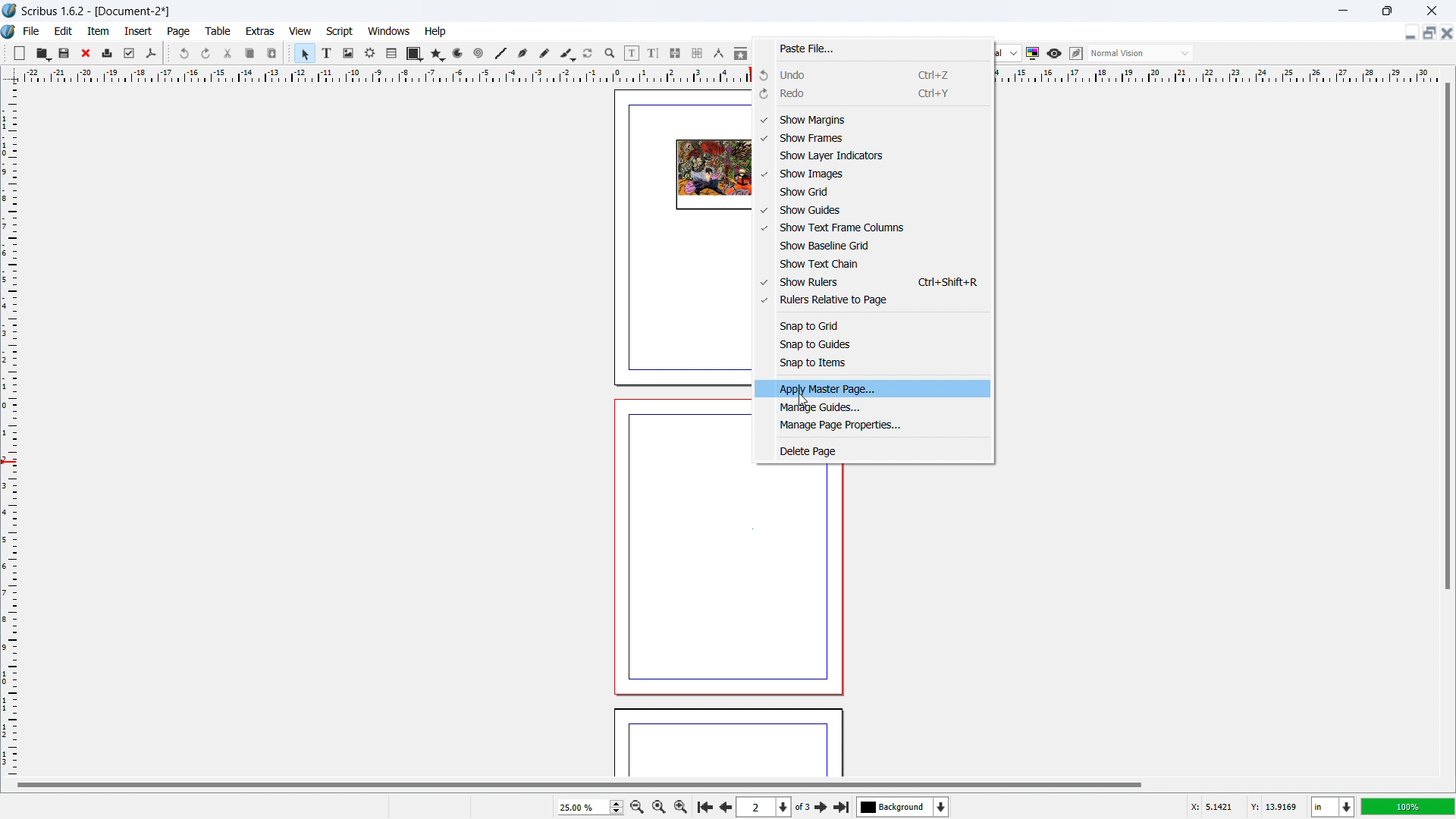 The image size is (1456, 819). I want to click on show baseline grid toggle, so click(874, 246).